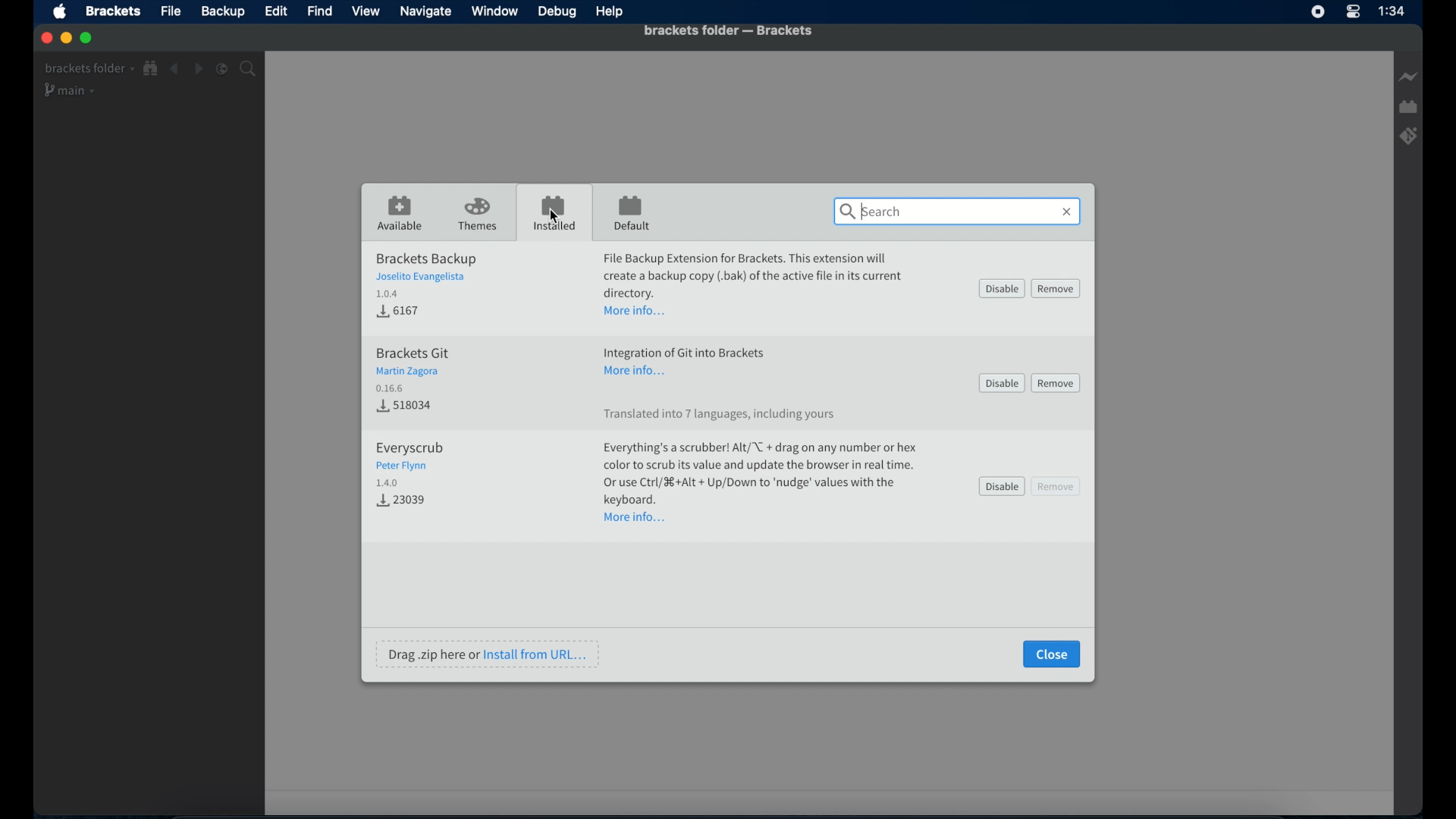 The image size is (1456, 819). I want to click on extension info, so click(686, 361).